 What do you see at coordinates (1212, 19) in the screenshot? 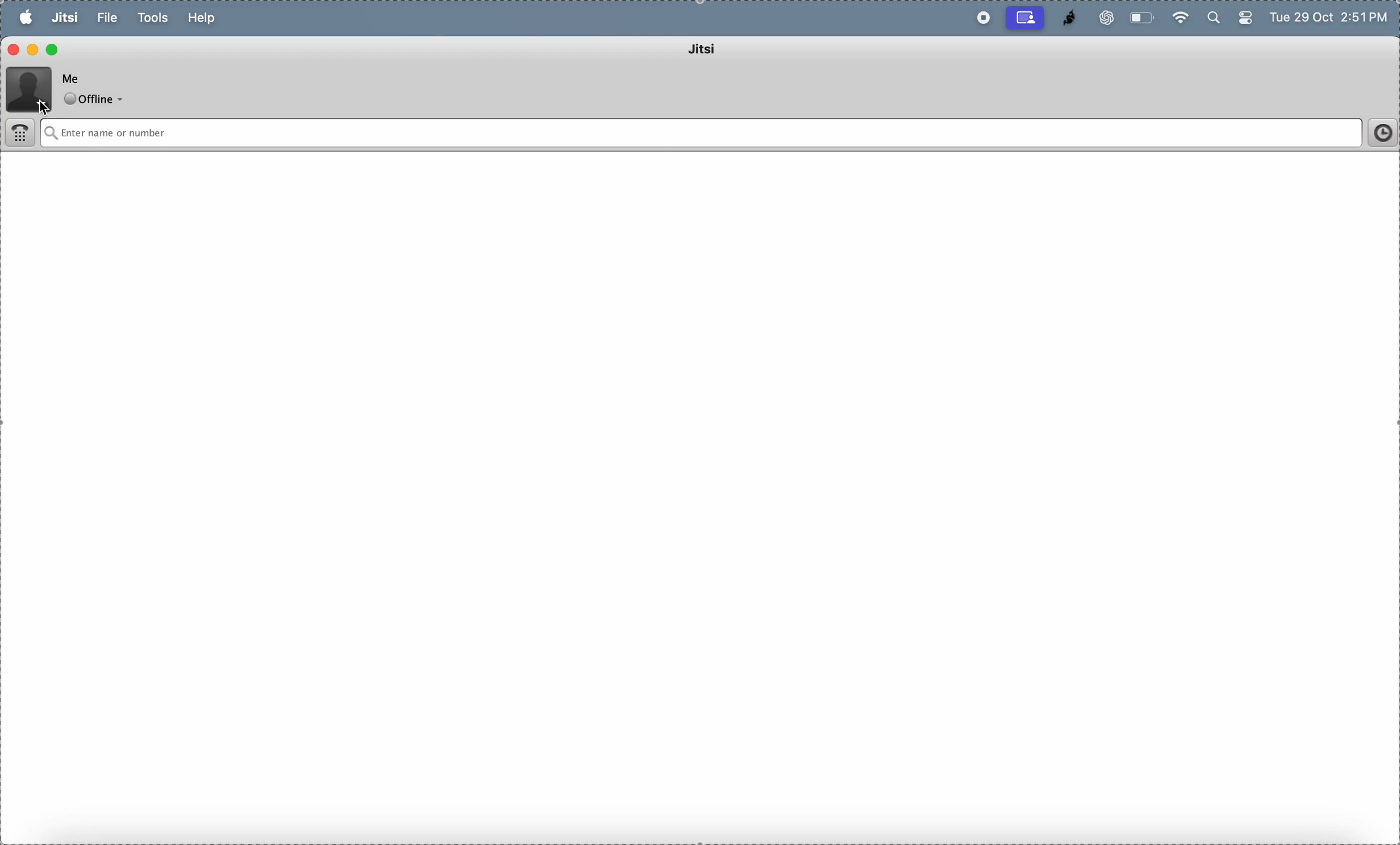
I see `search` at bounding box center [1212, 19].